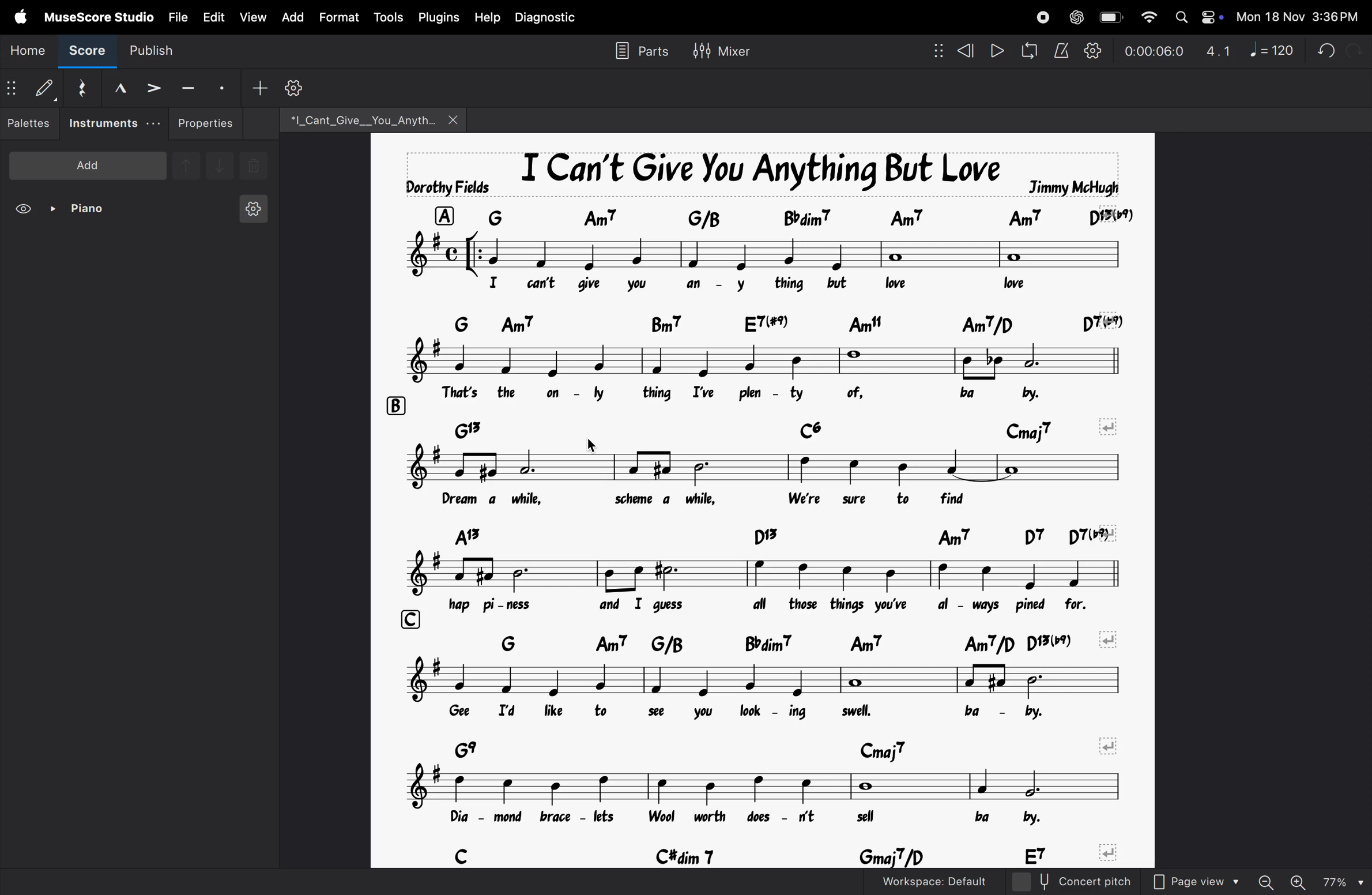 The width and height of the screenshot is (1372, 895). Describe the element at coordinates (955, 51) in the screenshot. I see `rewind` at that location.